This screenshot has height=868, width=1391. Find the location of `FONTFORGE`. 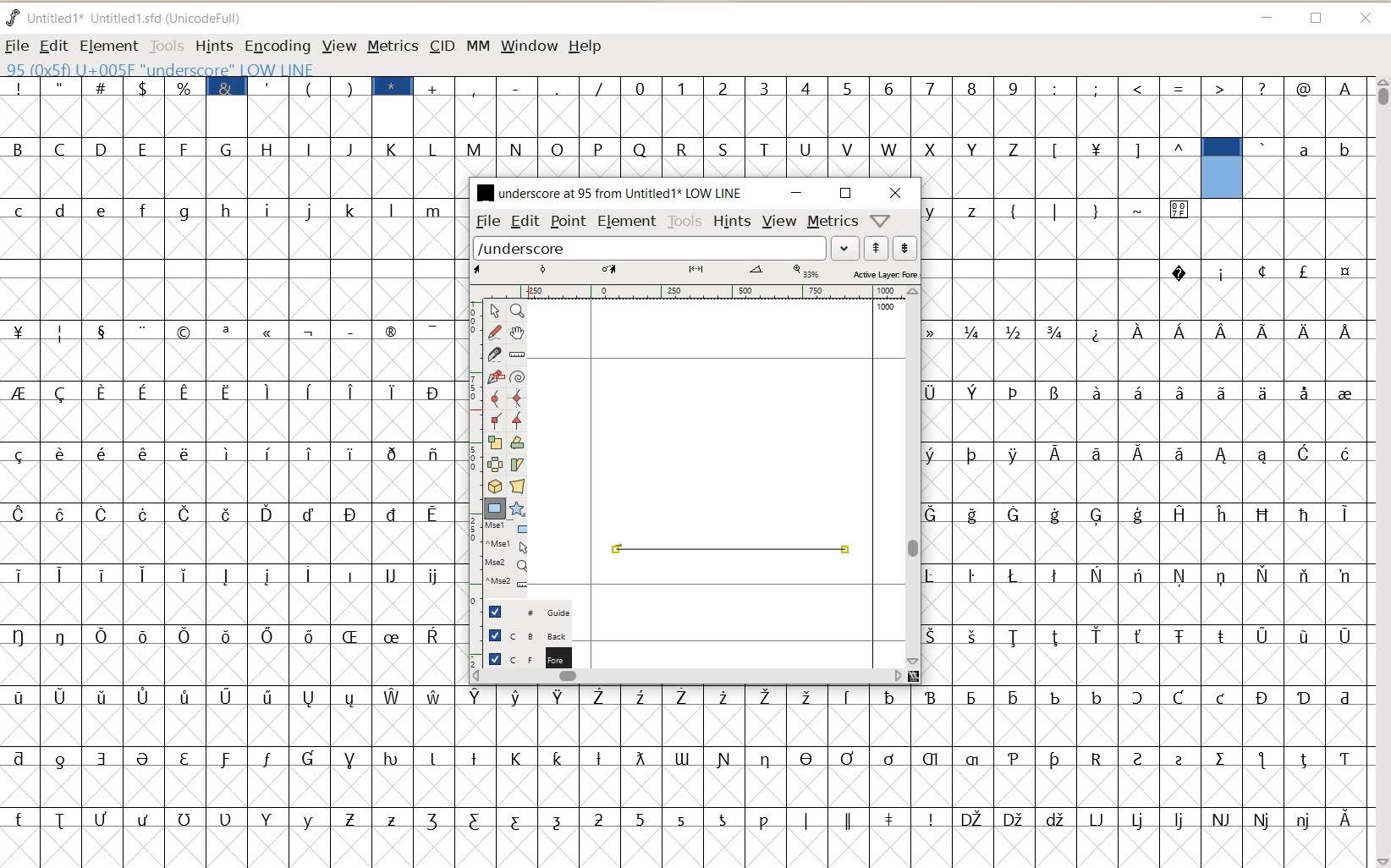

FONTFORGE is located at coordinates (13, 17).